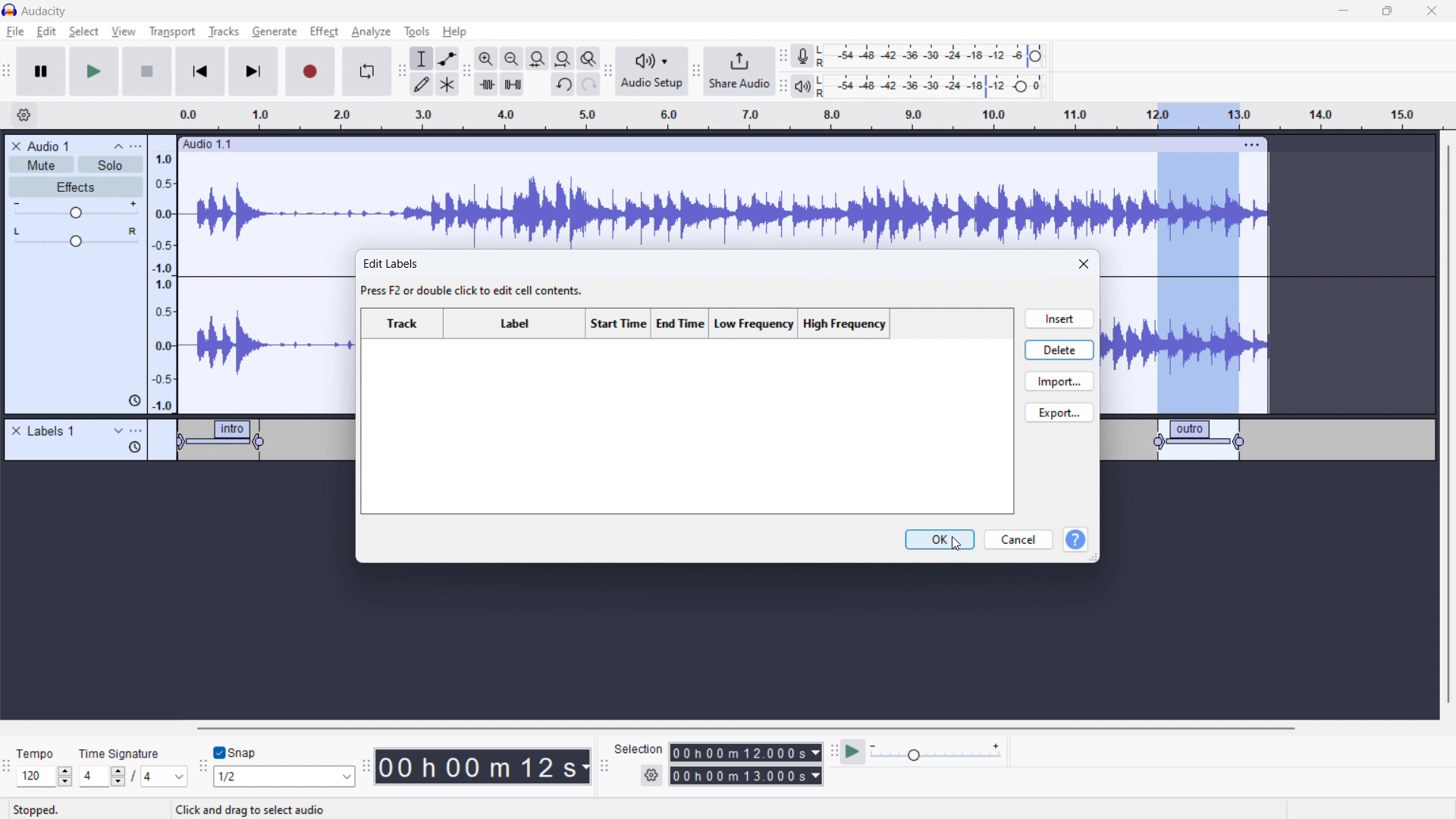 This screenshot has width=1456, height=819. Describe the element at coordinates (483, 765) in the screenshot. I see `timestamp` at that location.